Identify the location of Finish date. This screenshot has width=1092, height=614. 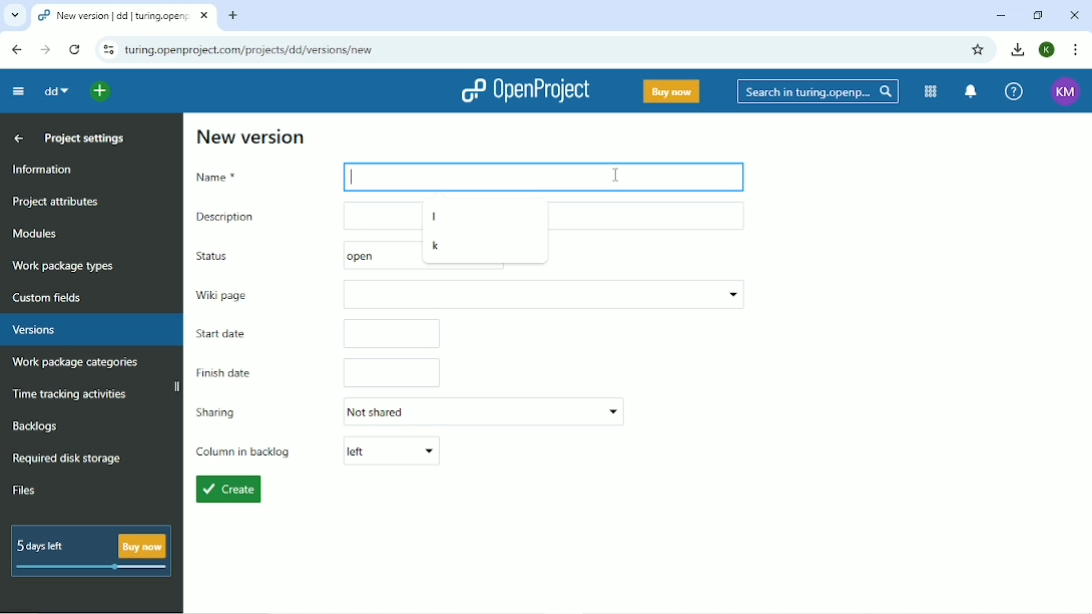
(317, 373).